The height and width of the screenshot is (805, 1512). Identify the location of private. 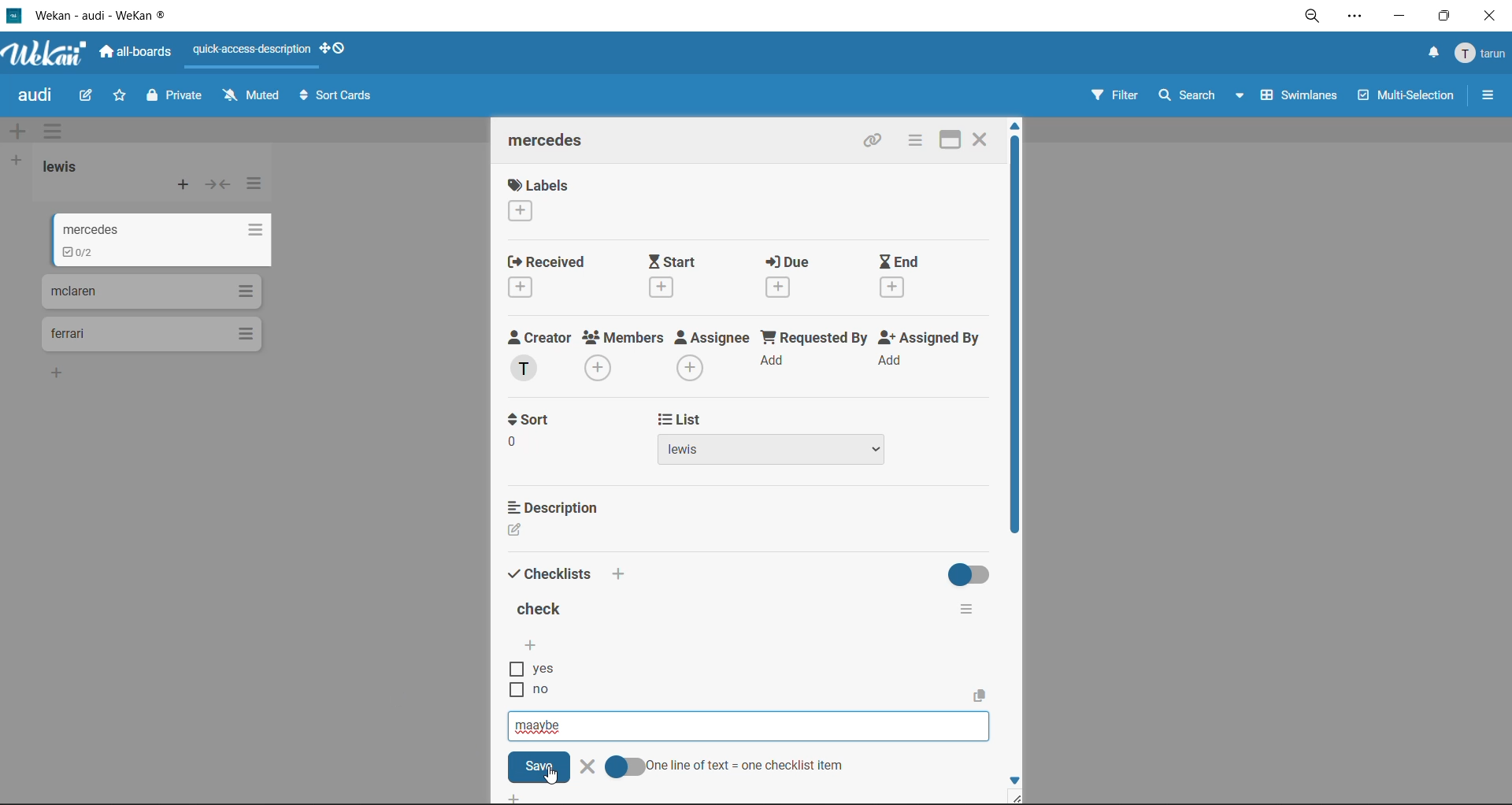
(179, 97).